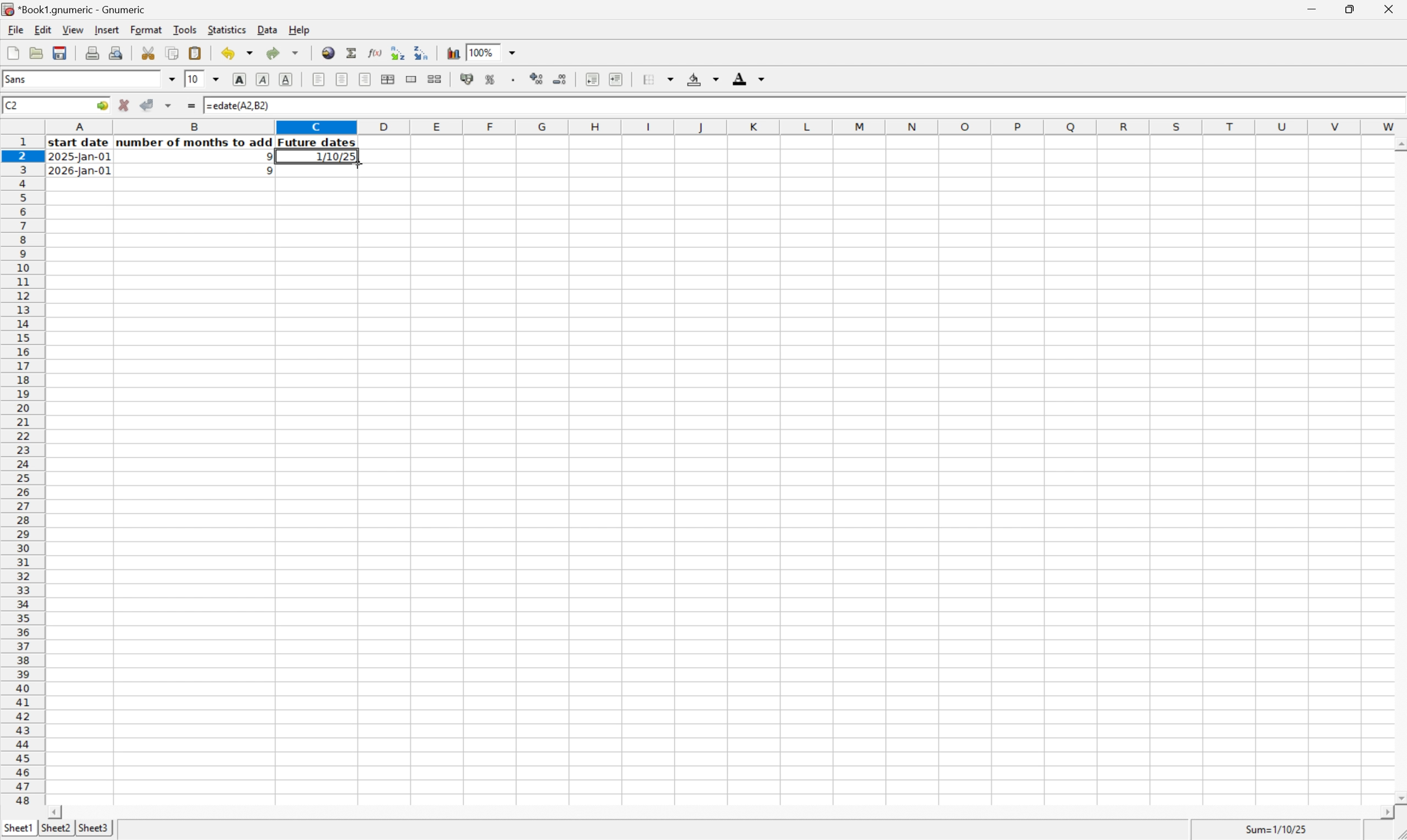 The image size is (1407, 840). I want to click on Drop Down, so click(216, 80).